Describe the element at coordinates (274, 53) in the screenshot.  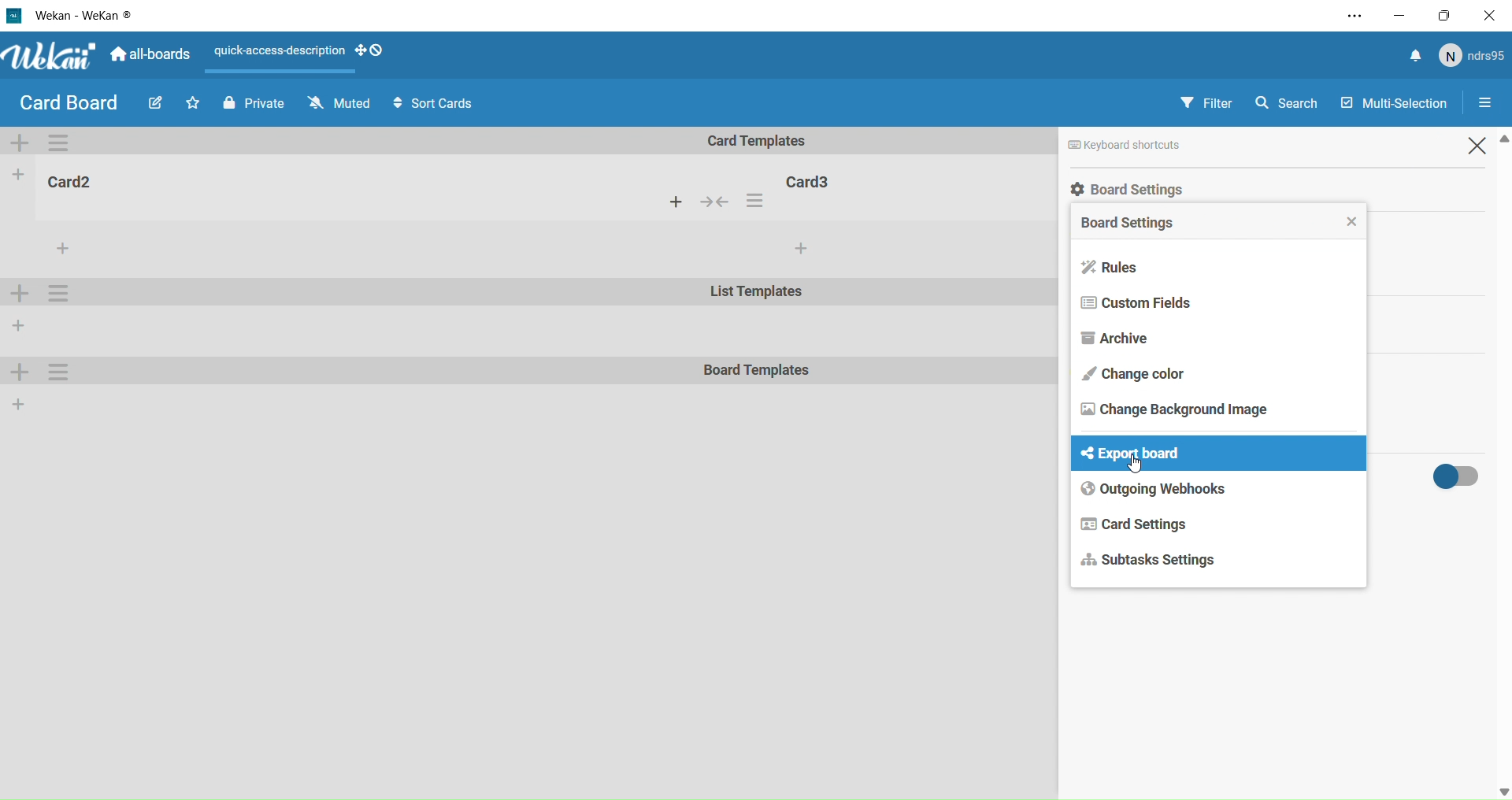
I see `quick access description` at that location.